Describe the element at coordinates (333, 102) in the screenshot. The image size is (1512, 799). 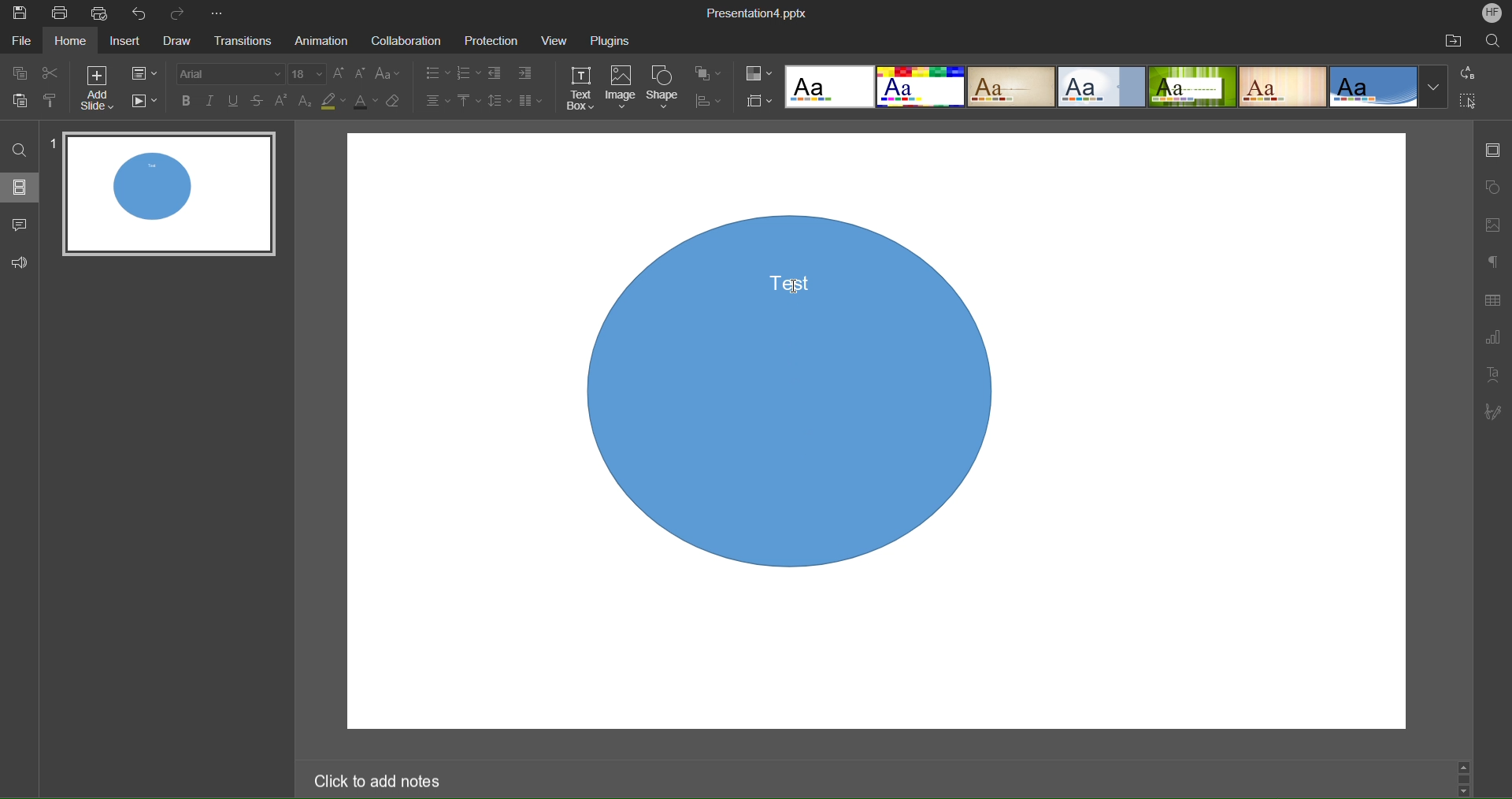
I see `Highlight` at that location.